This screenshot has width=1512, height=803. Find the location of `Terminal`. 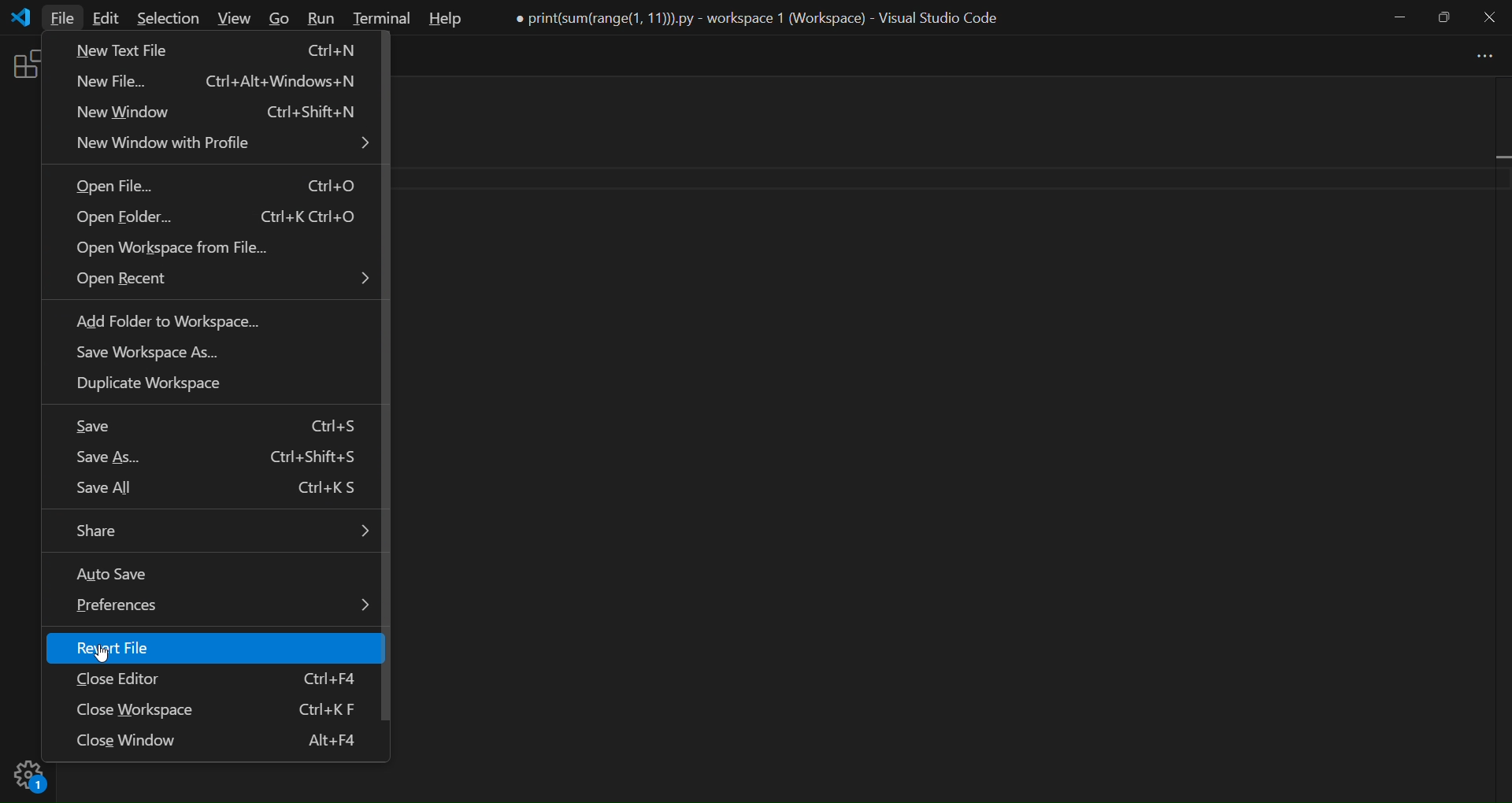

Terminal is located at coordinates (383, 19).